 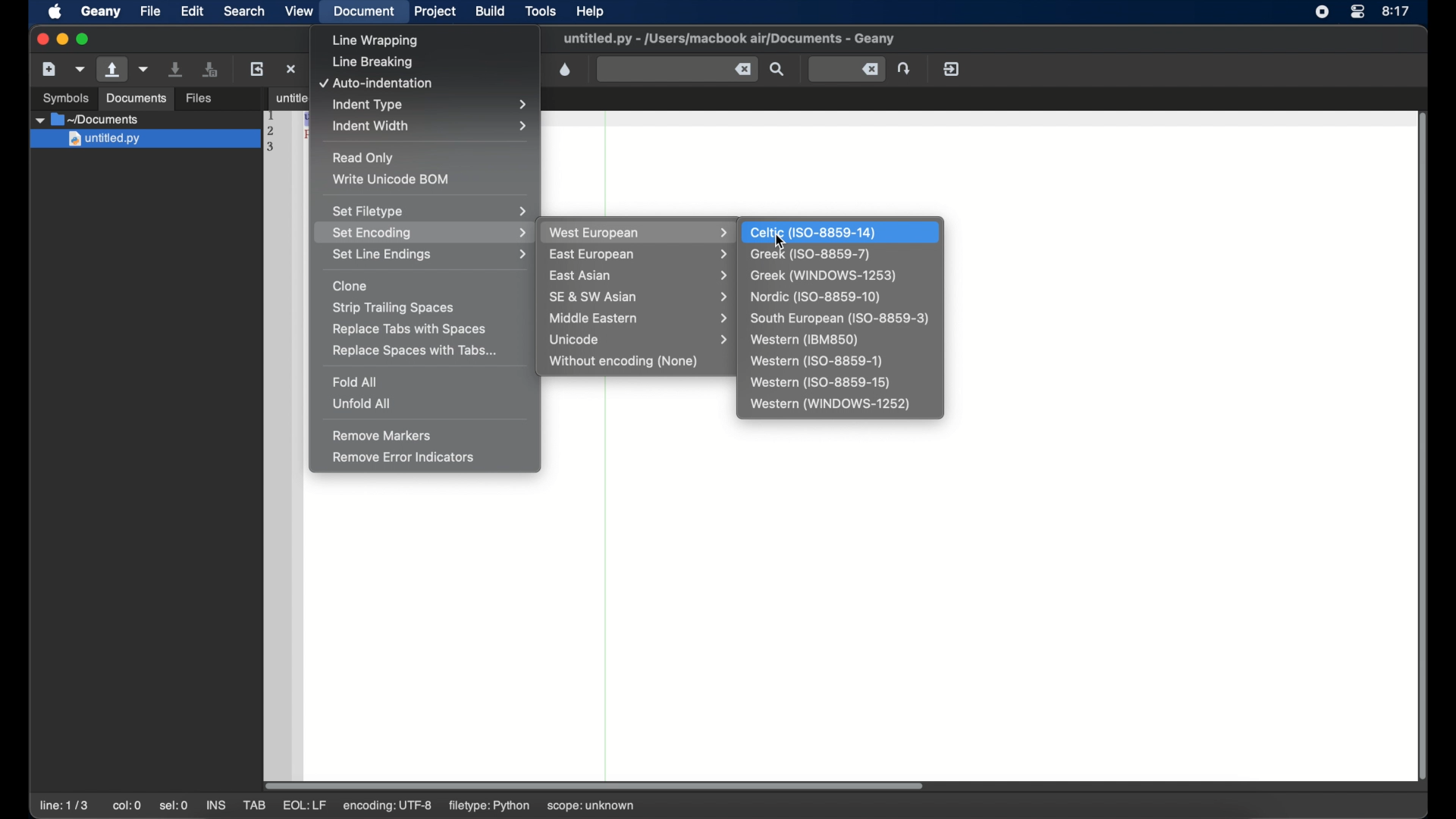 What do you see at coordinates (431, 126) in the screenshot?
I see `indent width` at bounding box center [431, 126].